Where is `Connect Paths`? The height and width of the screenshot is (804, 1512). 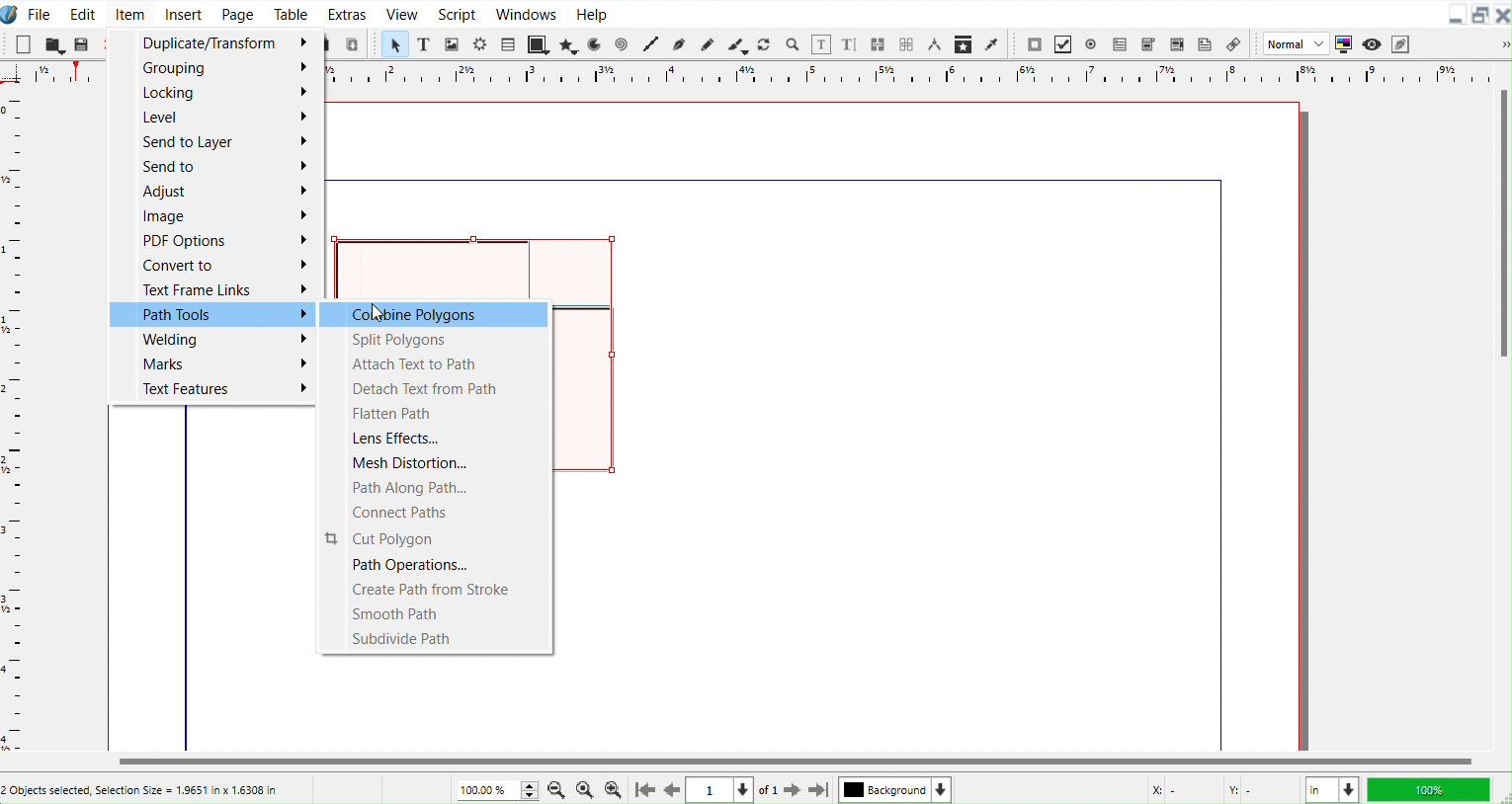 Connect Paths is located at coordinates (436, 512).